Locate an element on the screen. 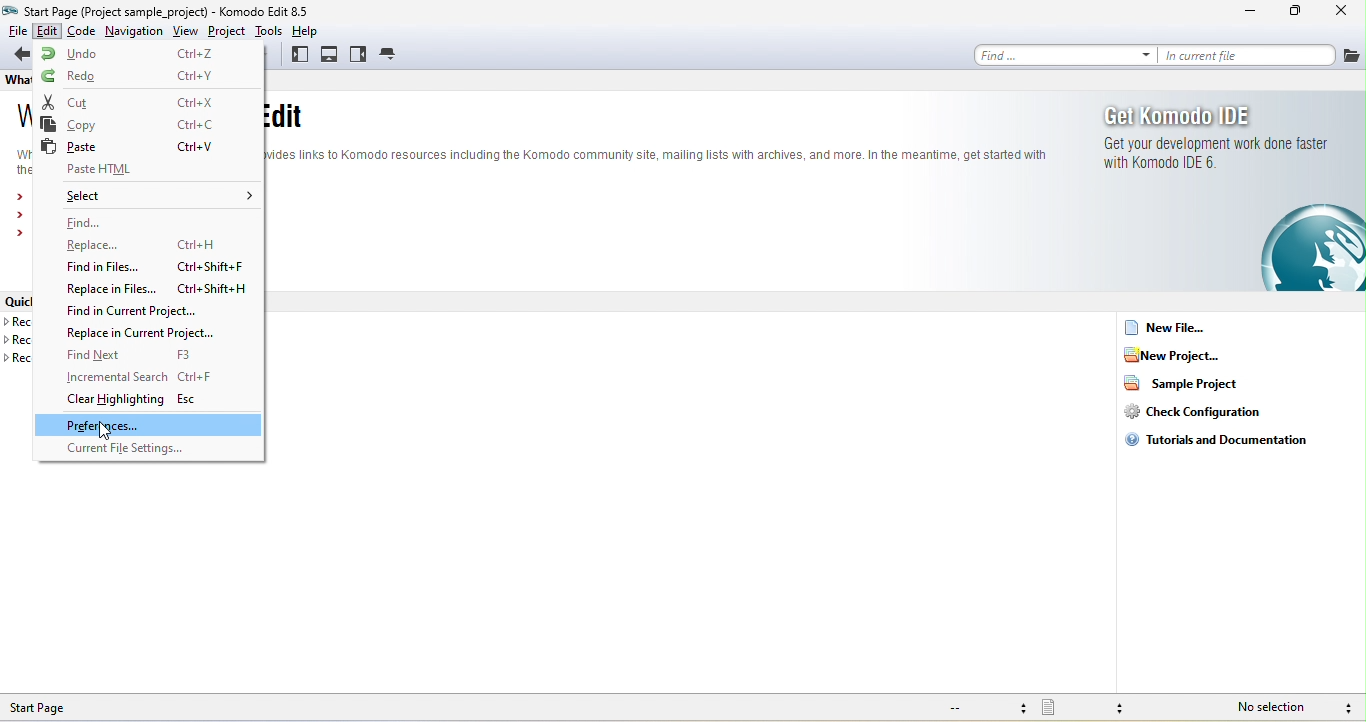 The image size is (1366, 722). file is located at coordinates (1352, 55).